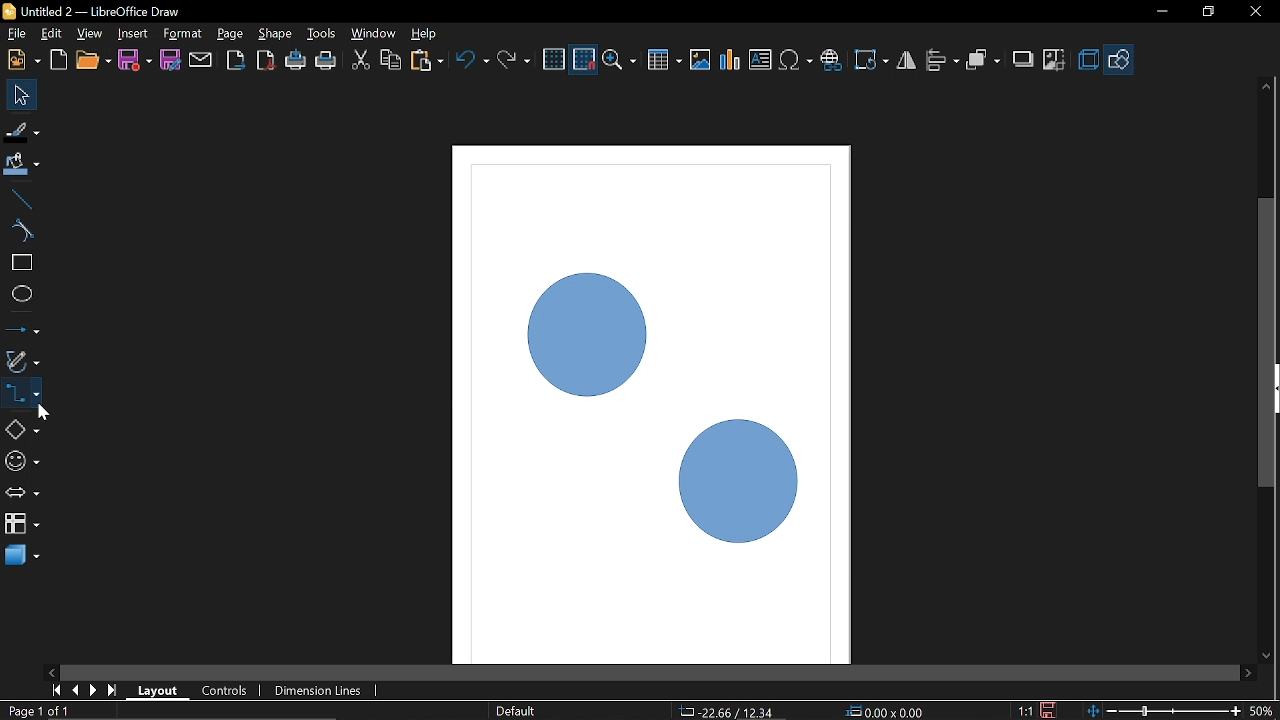  What do you see at coordinates (796, 61) in the screenshot?
I see `Insert symbol` at bounding box center [796, 61].